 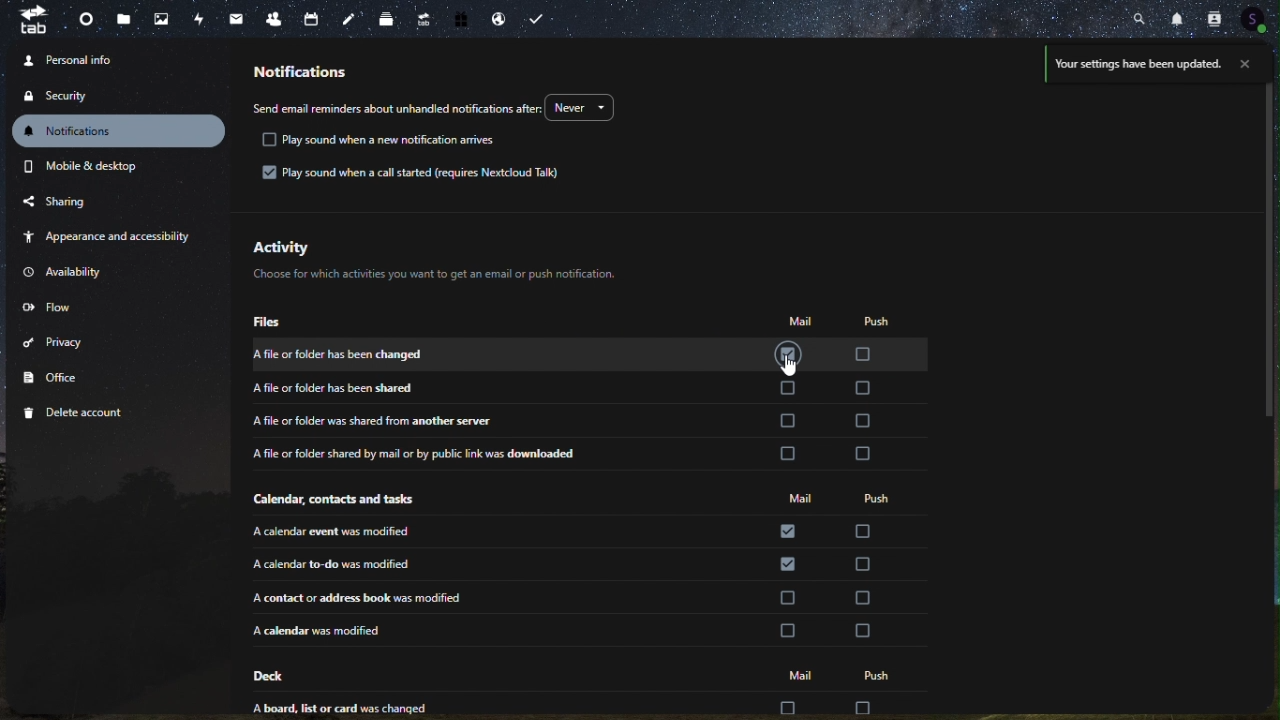 I want to click on account icon, so click(x=1256, y=21).